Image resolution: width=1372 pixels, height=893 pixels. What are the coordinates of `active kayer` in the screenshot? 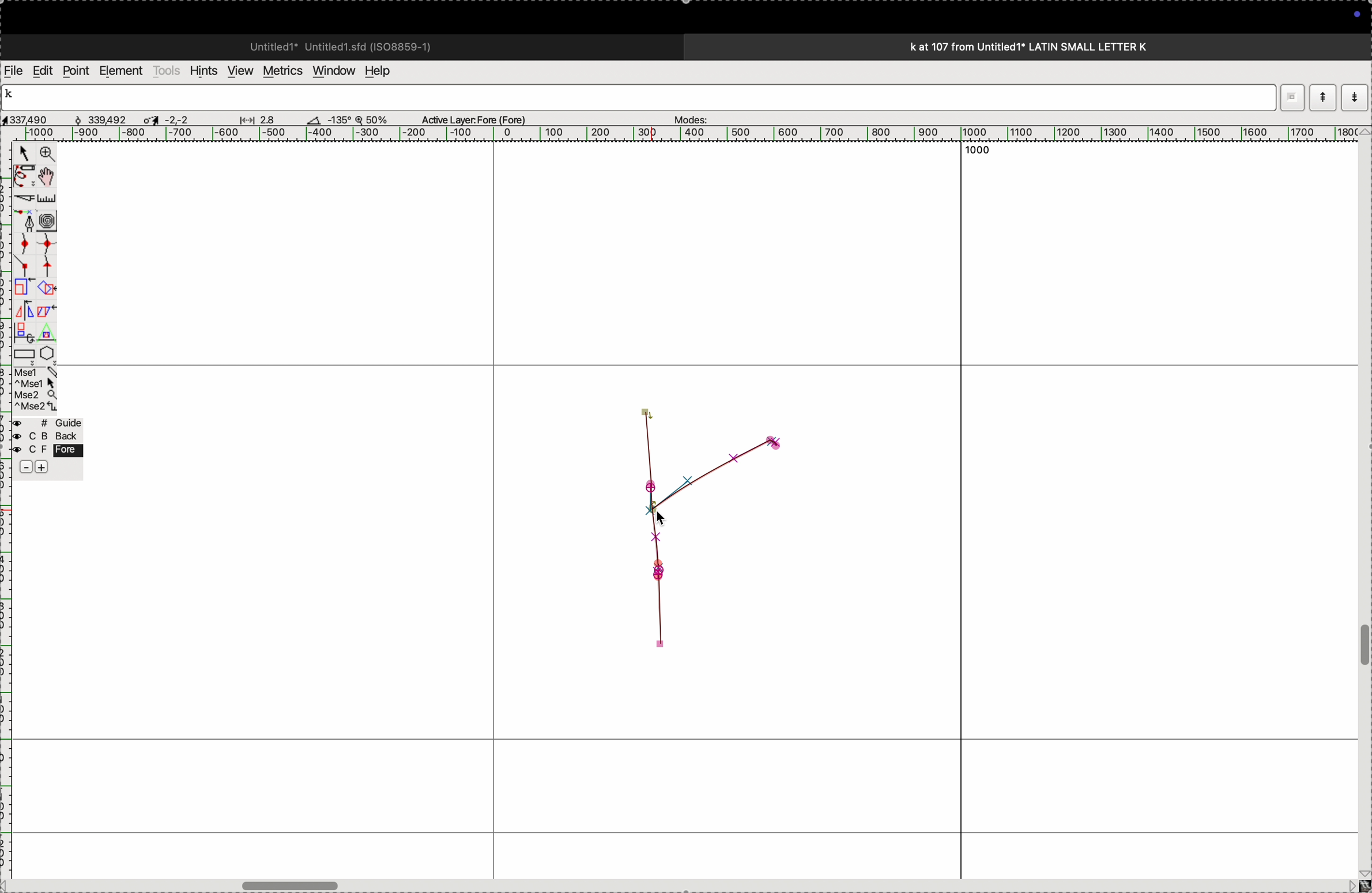 It's located at (481, 119).